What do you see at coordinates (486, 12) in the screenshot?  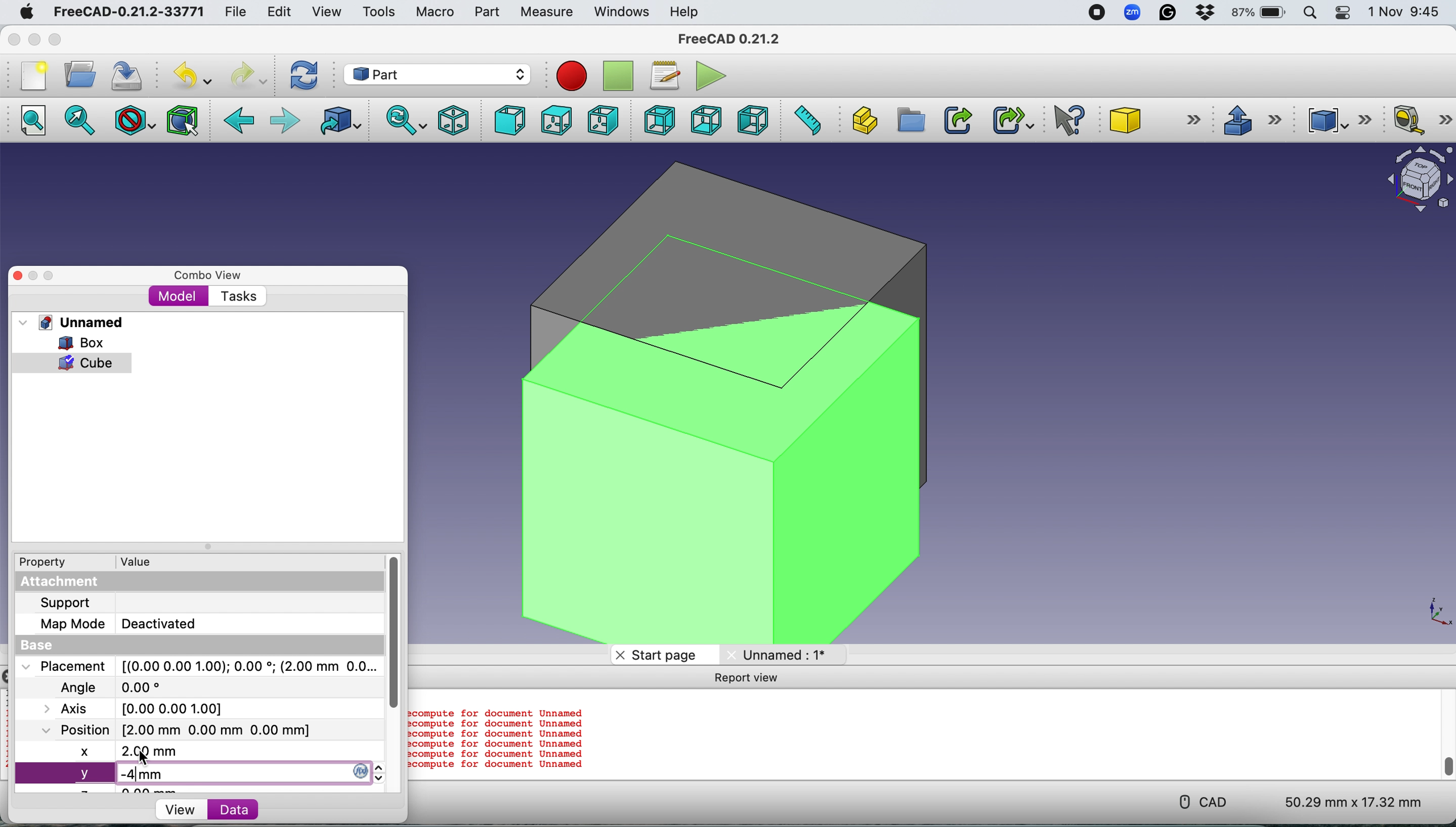 I see `Part` at bounding box center [486, 12].